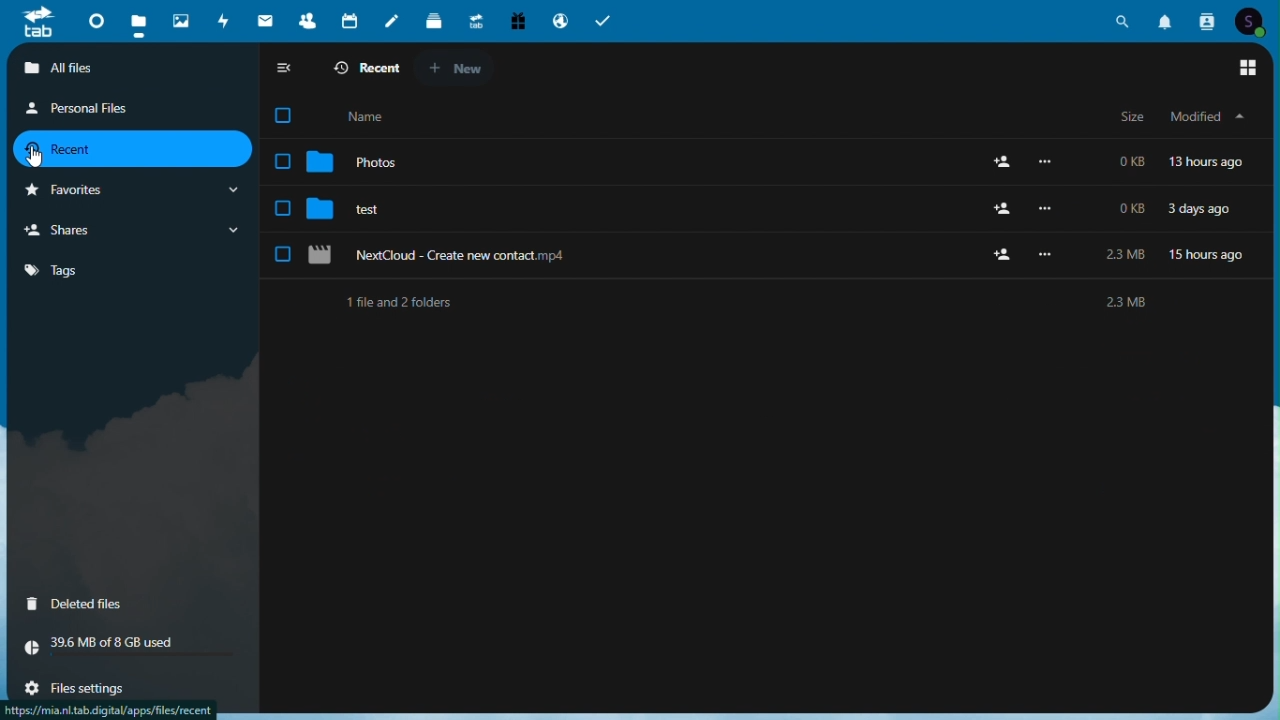 The image size is (1280, 720). Describe the element at coordinates (751, 302) in the screenshot. I see `text` at that location.